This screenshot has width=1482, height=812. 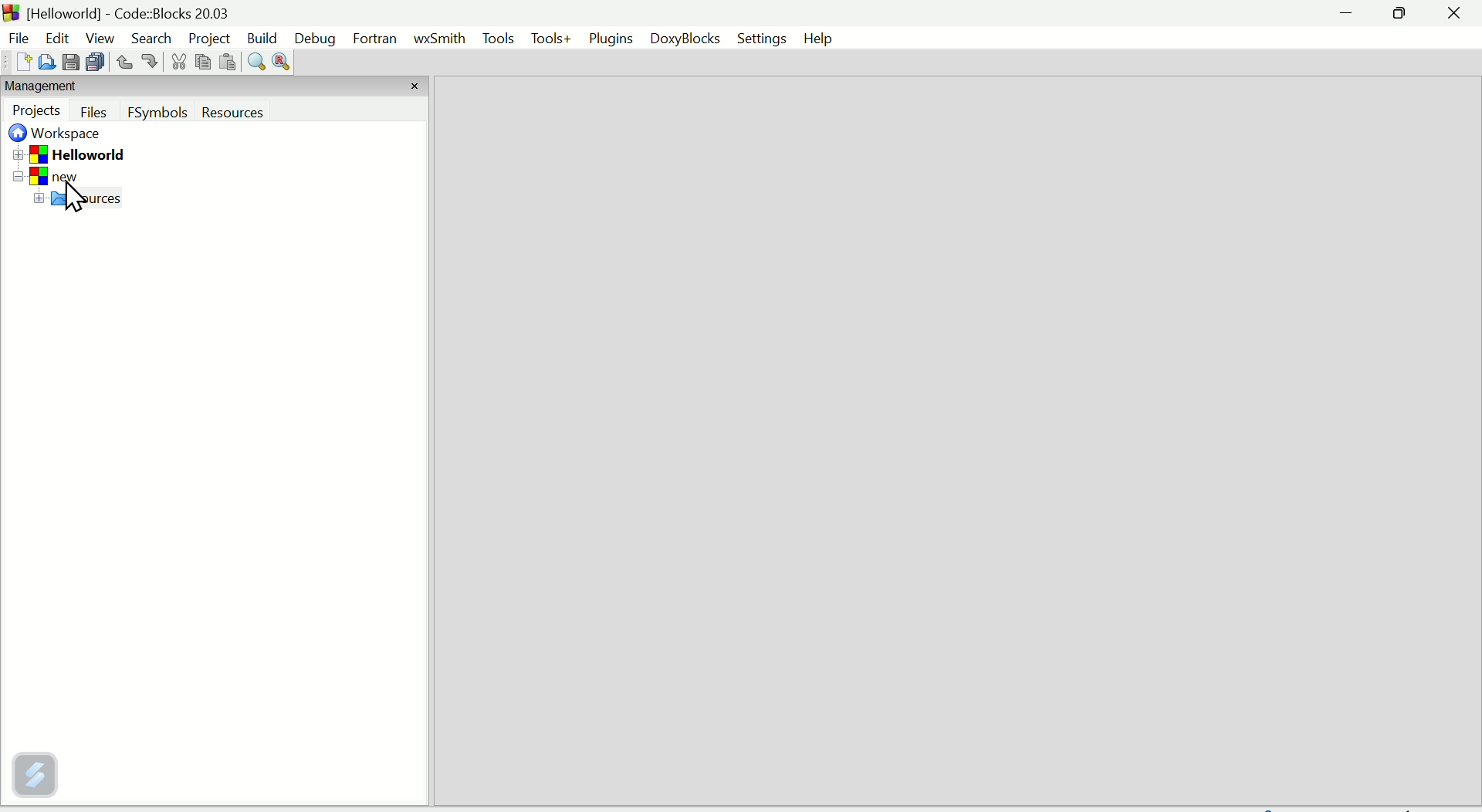 I want to click on Save, so click(x=72, y=62).